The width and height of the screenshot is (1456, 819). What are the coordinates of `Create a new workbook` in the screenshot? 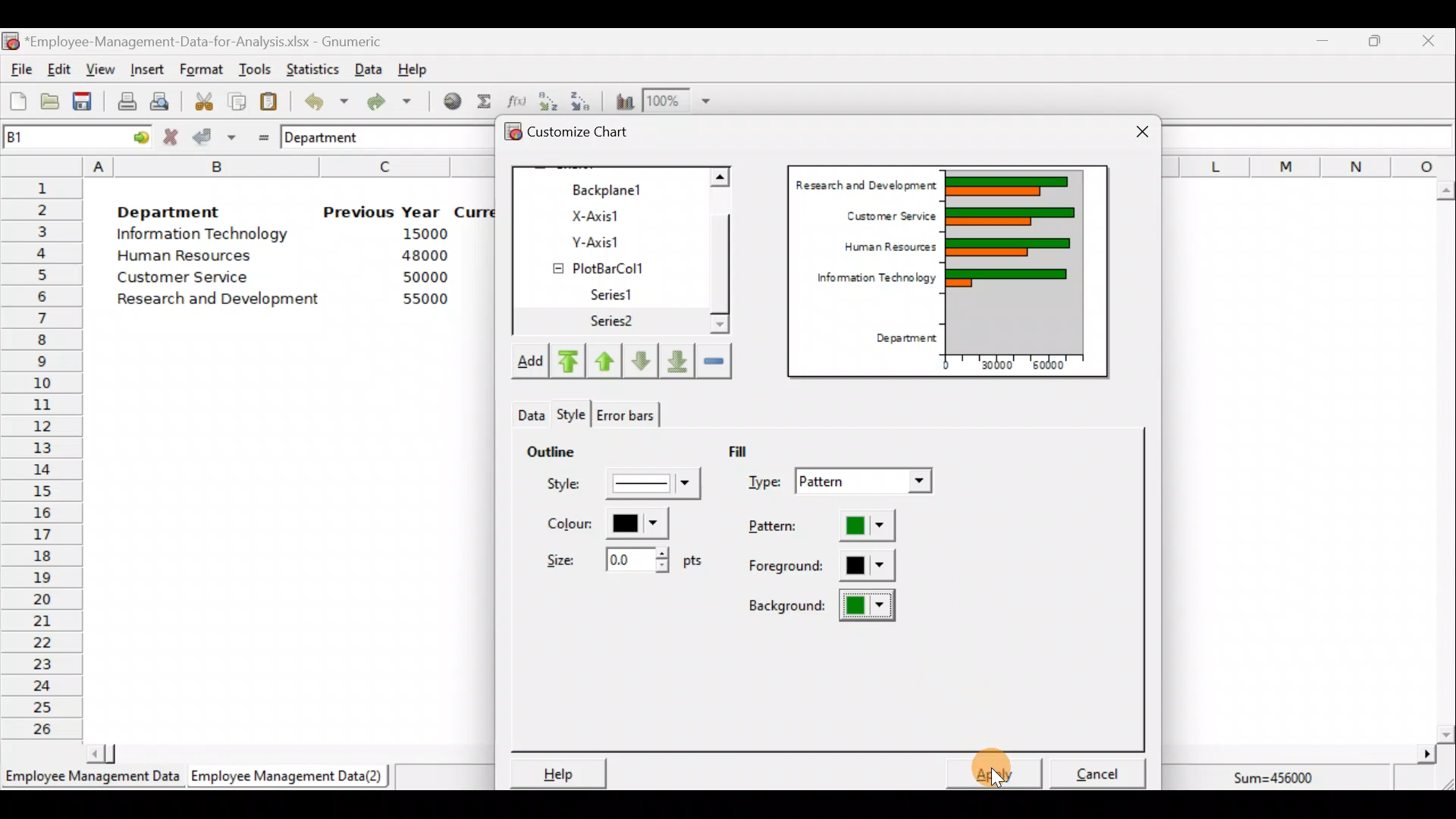 It's located at (18, 101).